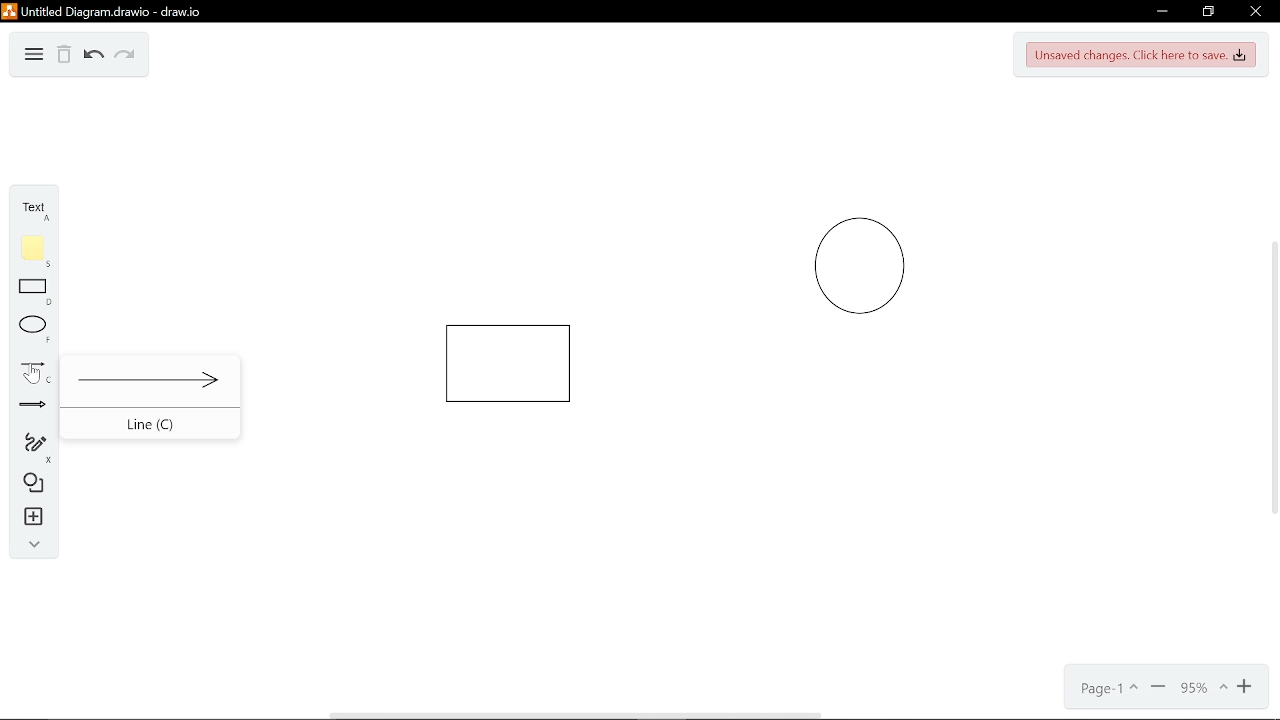  Describe the element at coordinates (506, 380) in the screenshot. I see `Rectangle` at that location.